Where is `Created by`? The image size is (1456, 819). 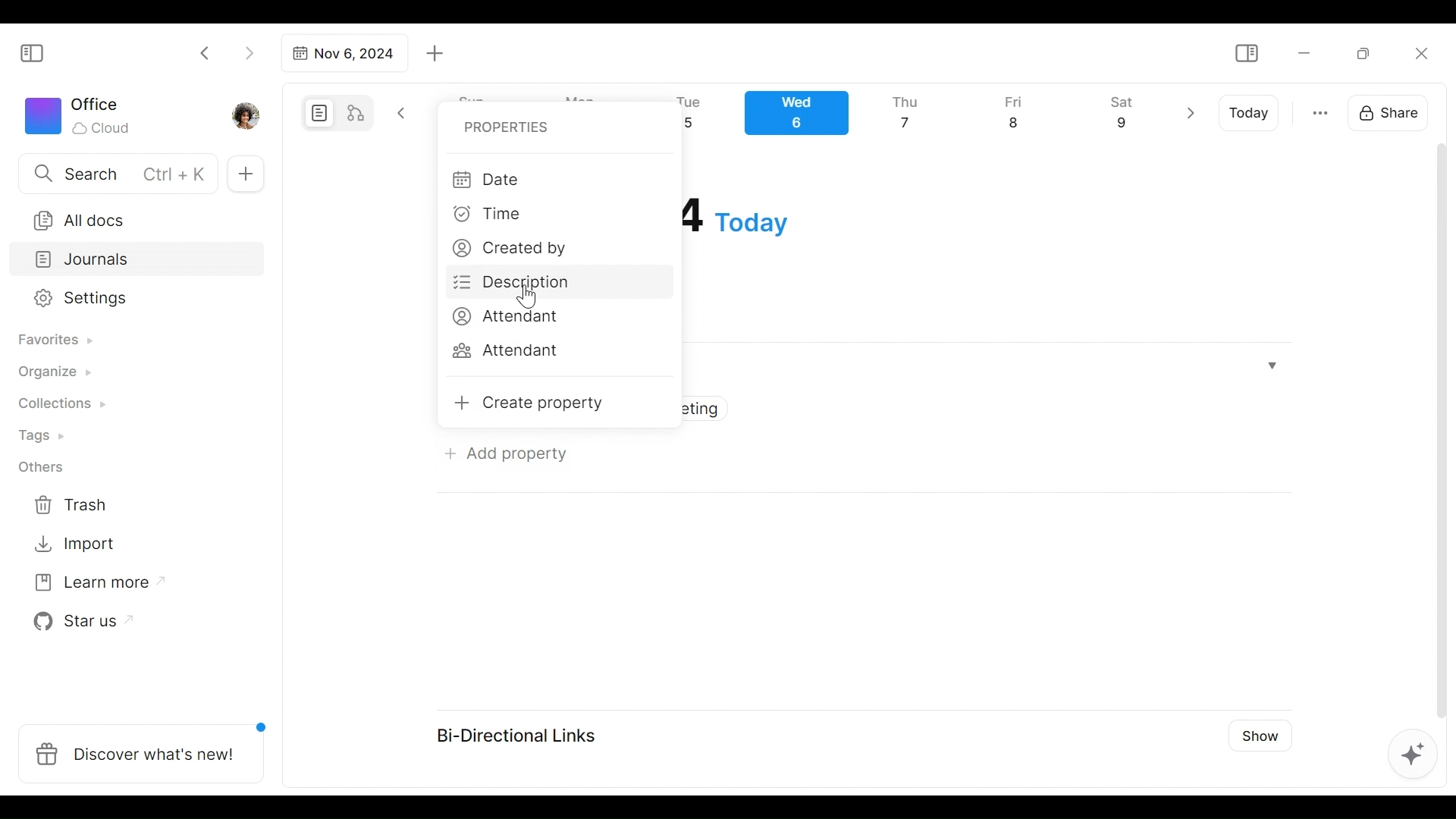 Created by is located at coordinates (515, 251).